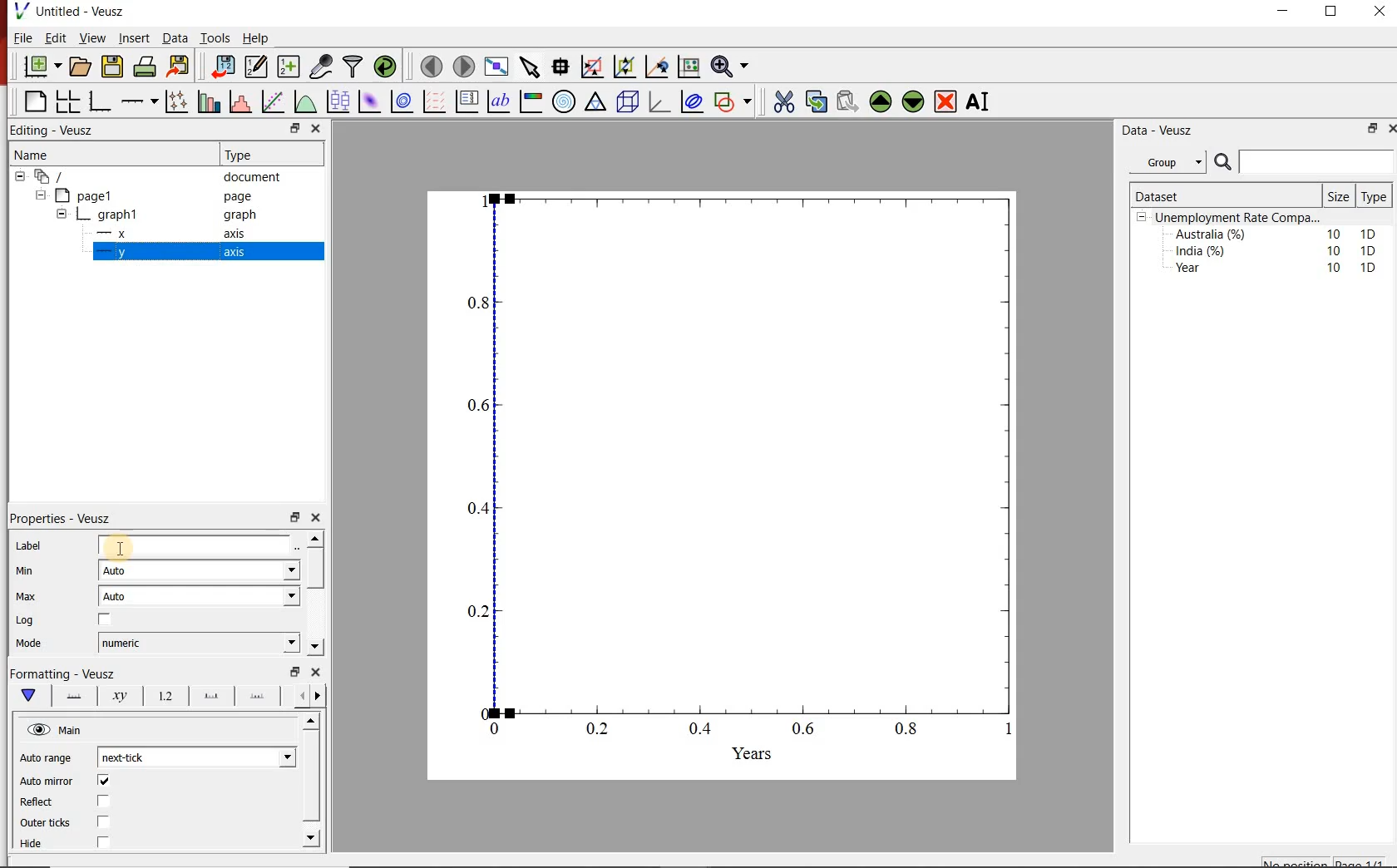 This screenshot has width=1397, height=868. Describe the element at coordinates (195, 545) in the screenshot. I see `label field` at that location.